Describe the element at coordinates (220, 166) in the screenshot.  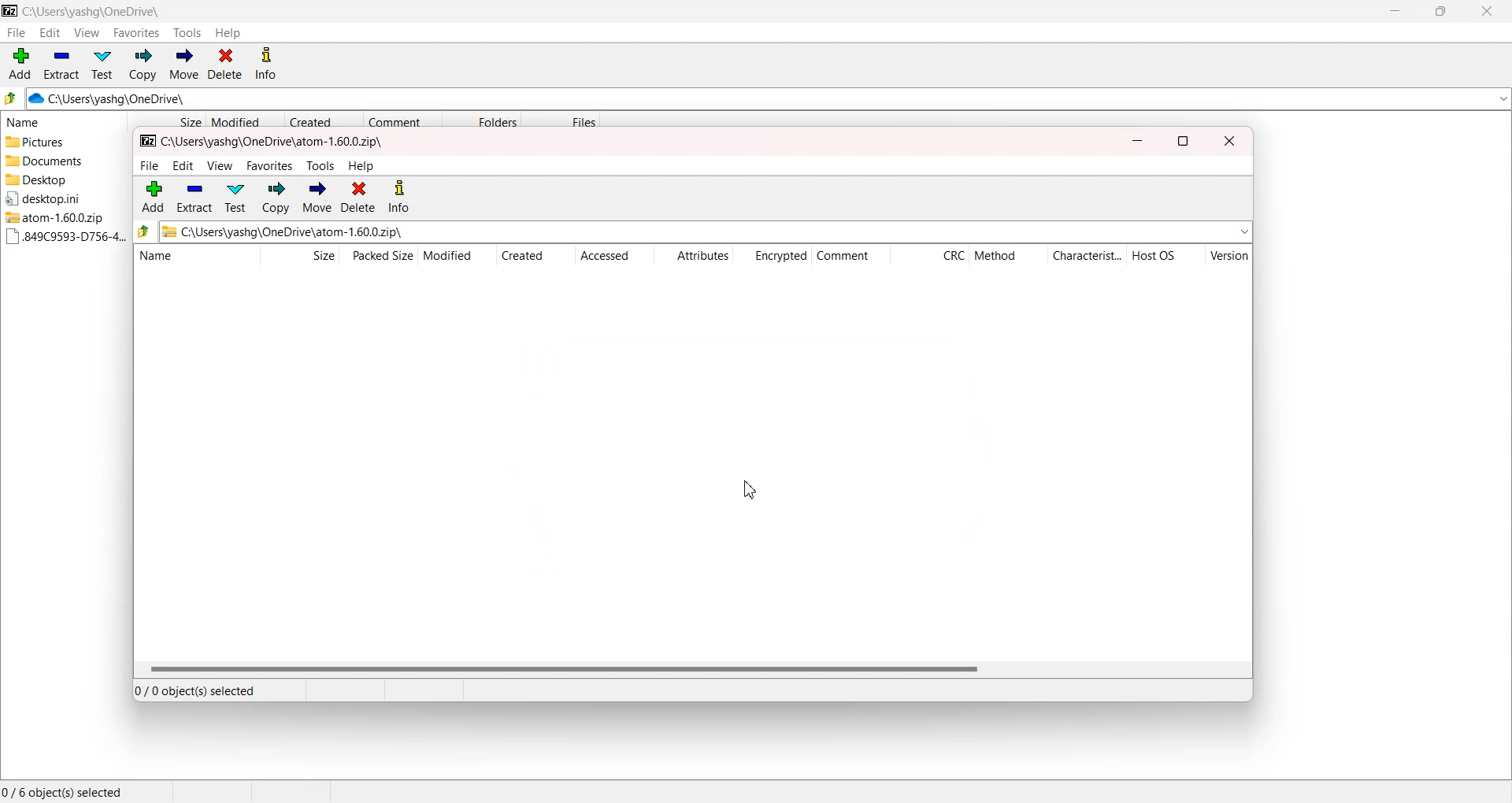
I see `view` at that location.